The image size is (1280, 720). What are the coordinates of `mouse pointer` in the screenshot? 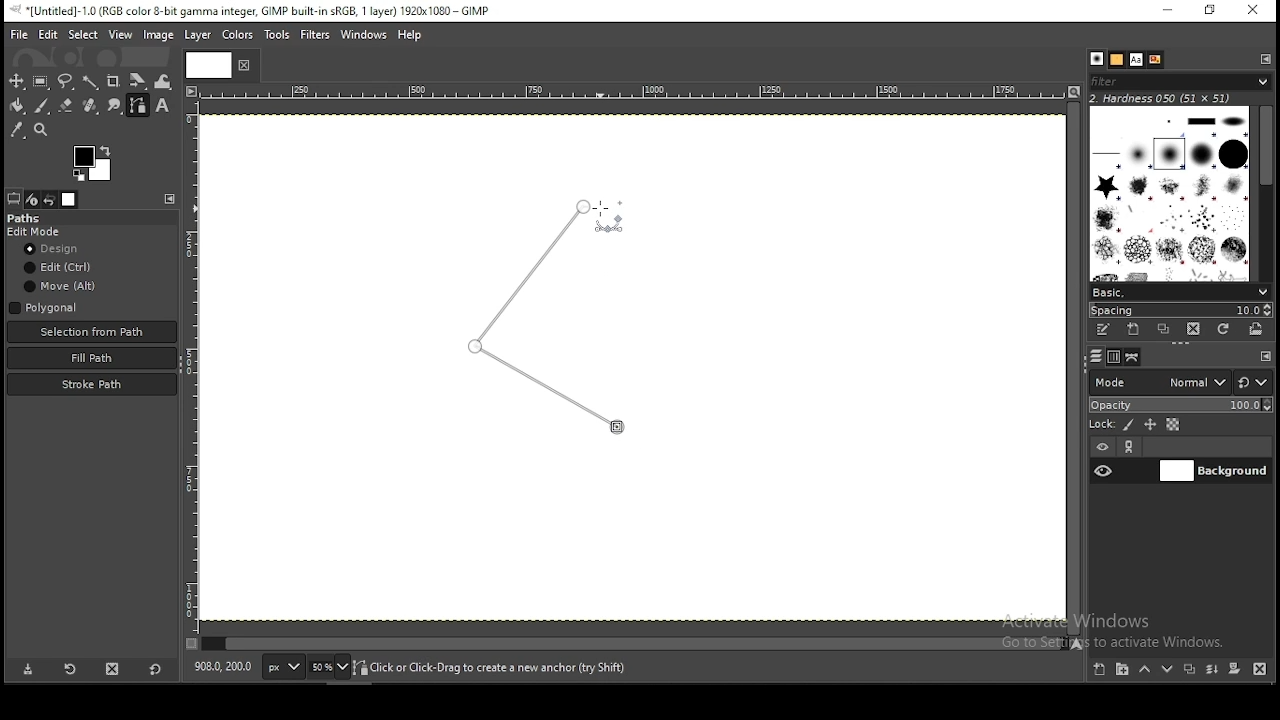 It's located at (604, 218).